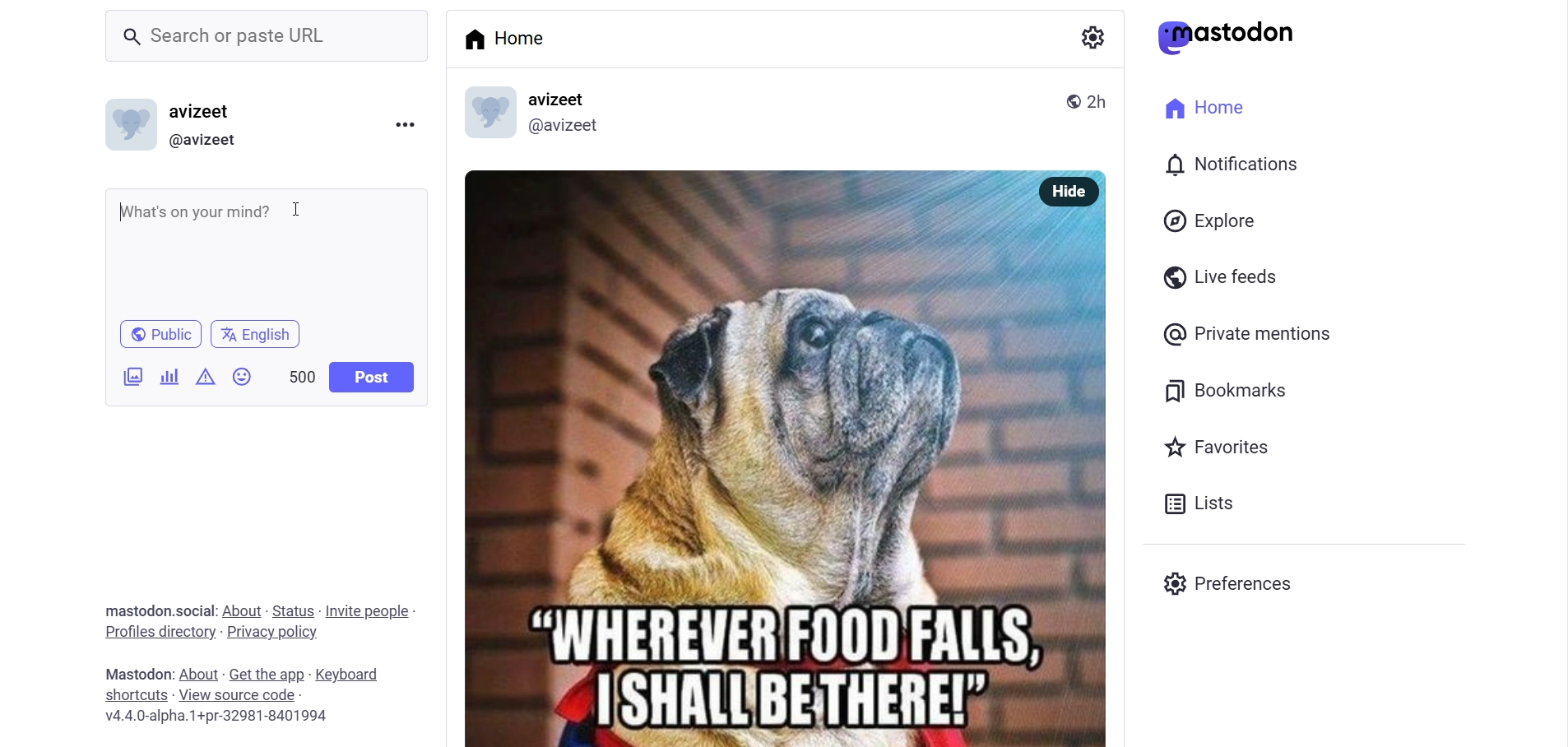 The width and height of the screenshot is (1568, 747). I want to click on Post , so click(378, 378).